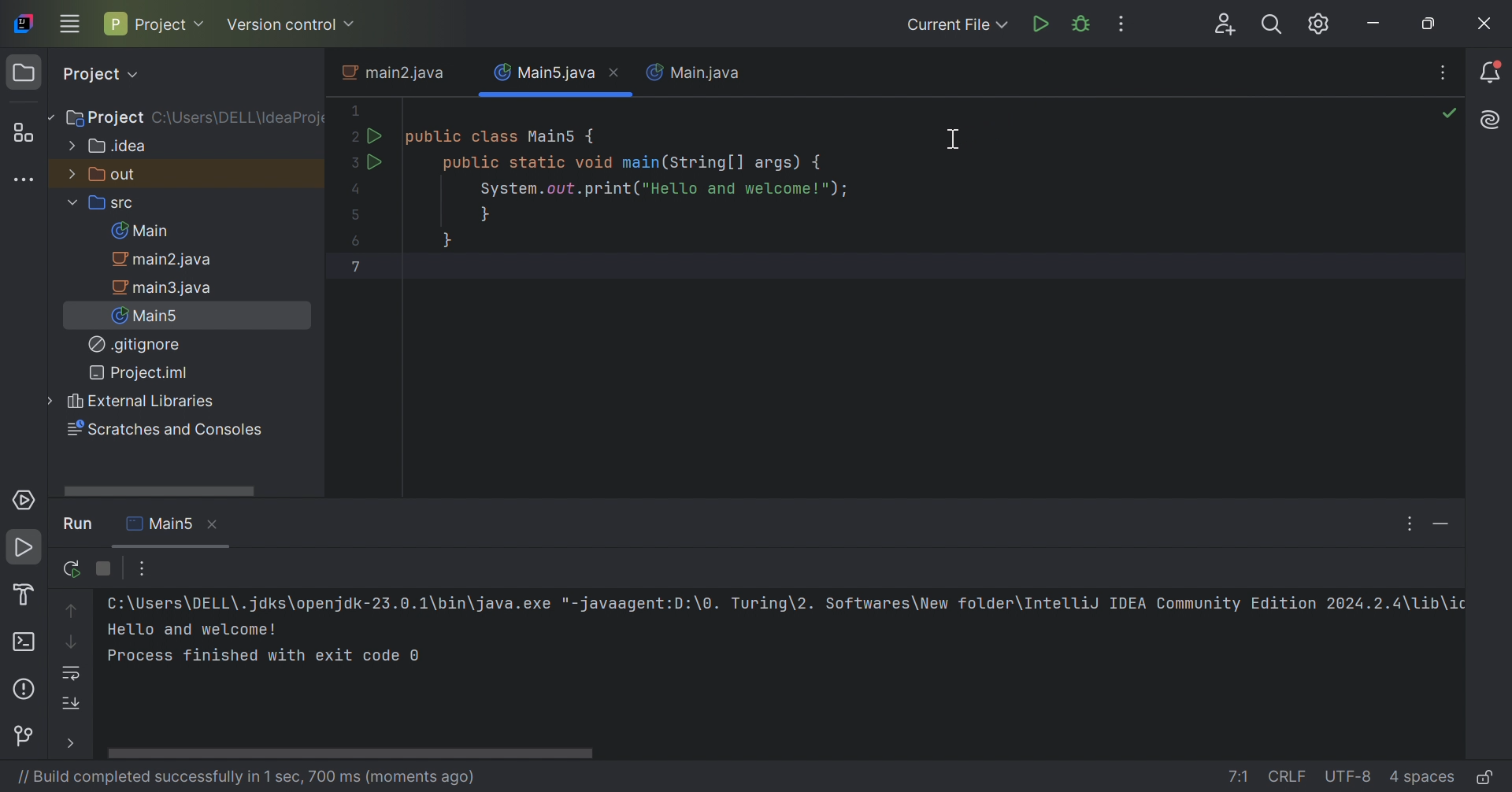  I want to click on 5, so click(357, 214).